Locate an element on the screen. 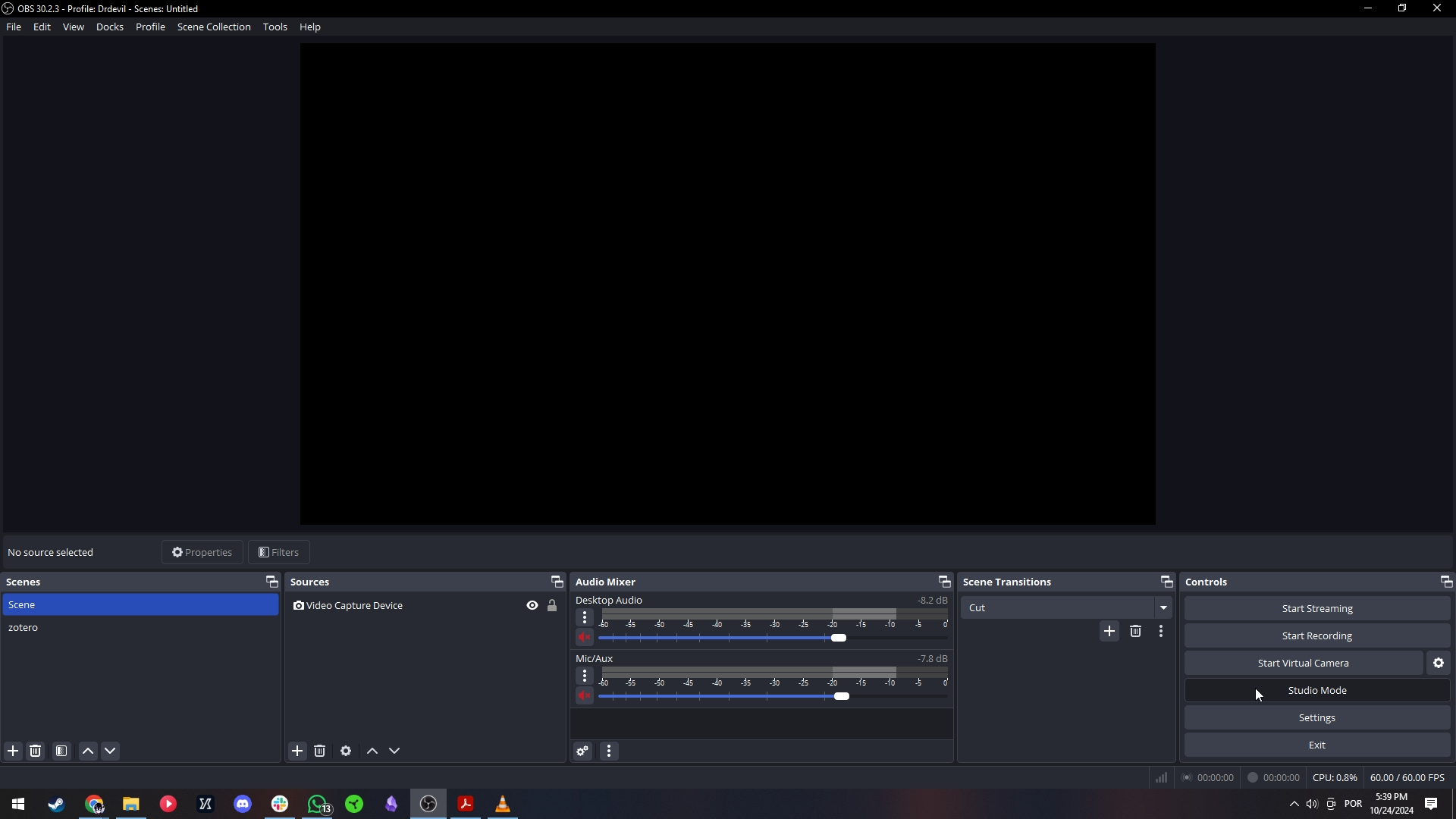 The image size is (1456, 819). Move scene down is located at coordinates (111, 752).